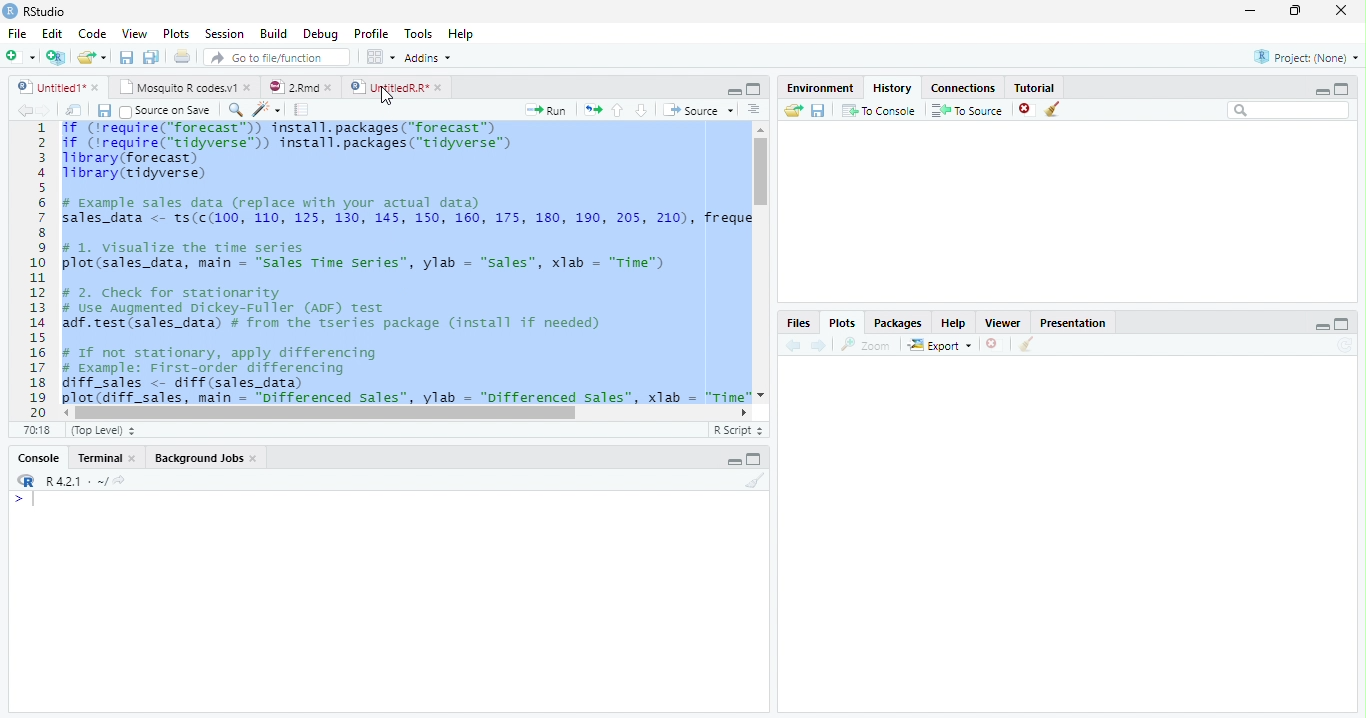  What do you see at coordinates (1034, 88) in the screenshot?
I see `Tutorial` at bounding box center [1034, 88].